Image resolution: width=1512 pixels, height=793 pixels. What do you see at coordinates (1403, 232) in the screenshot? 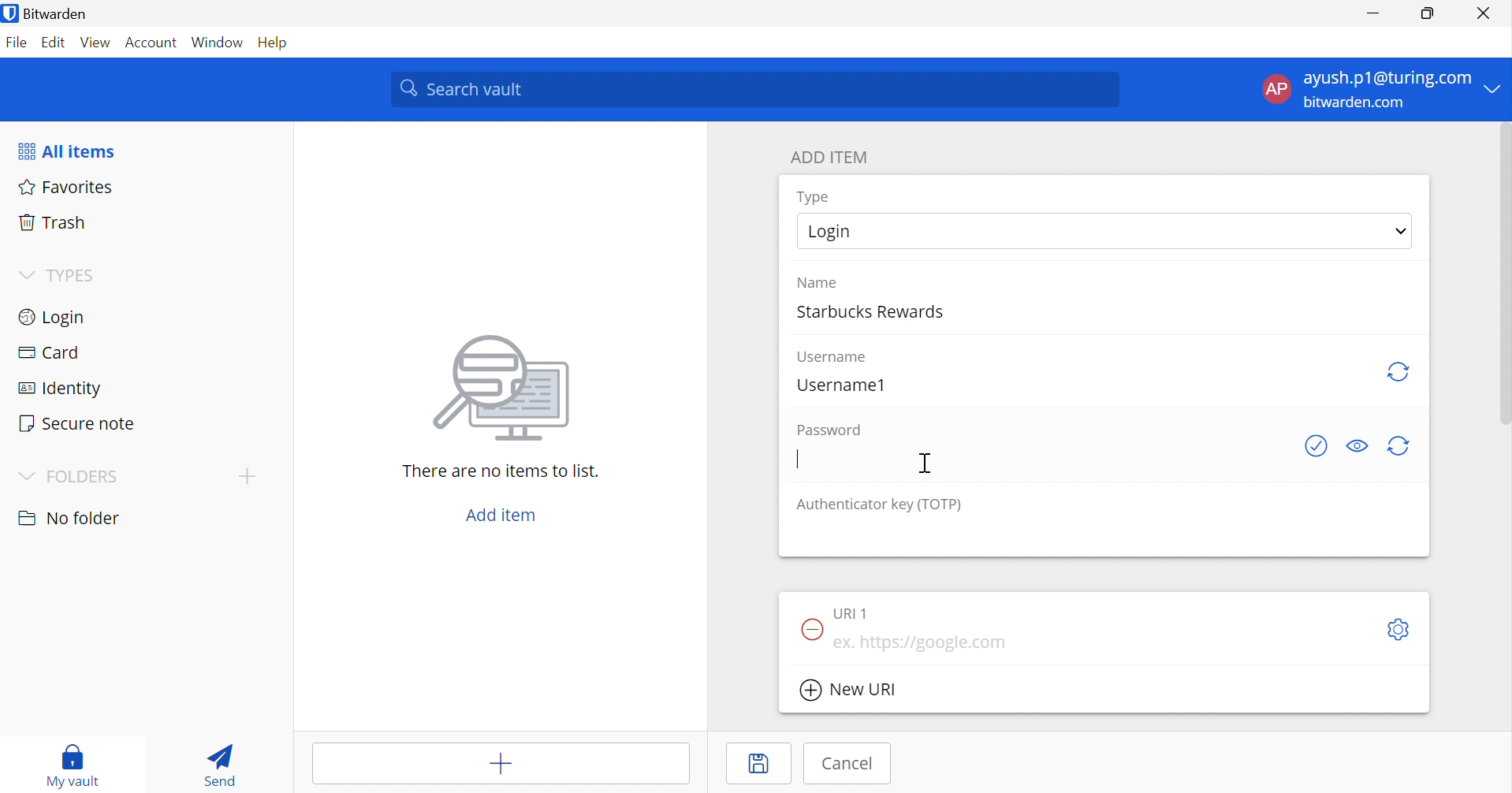
I see `Drop Down` at bounding box center [1403, 232].